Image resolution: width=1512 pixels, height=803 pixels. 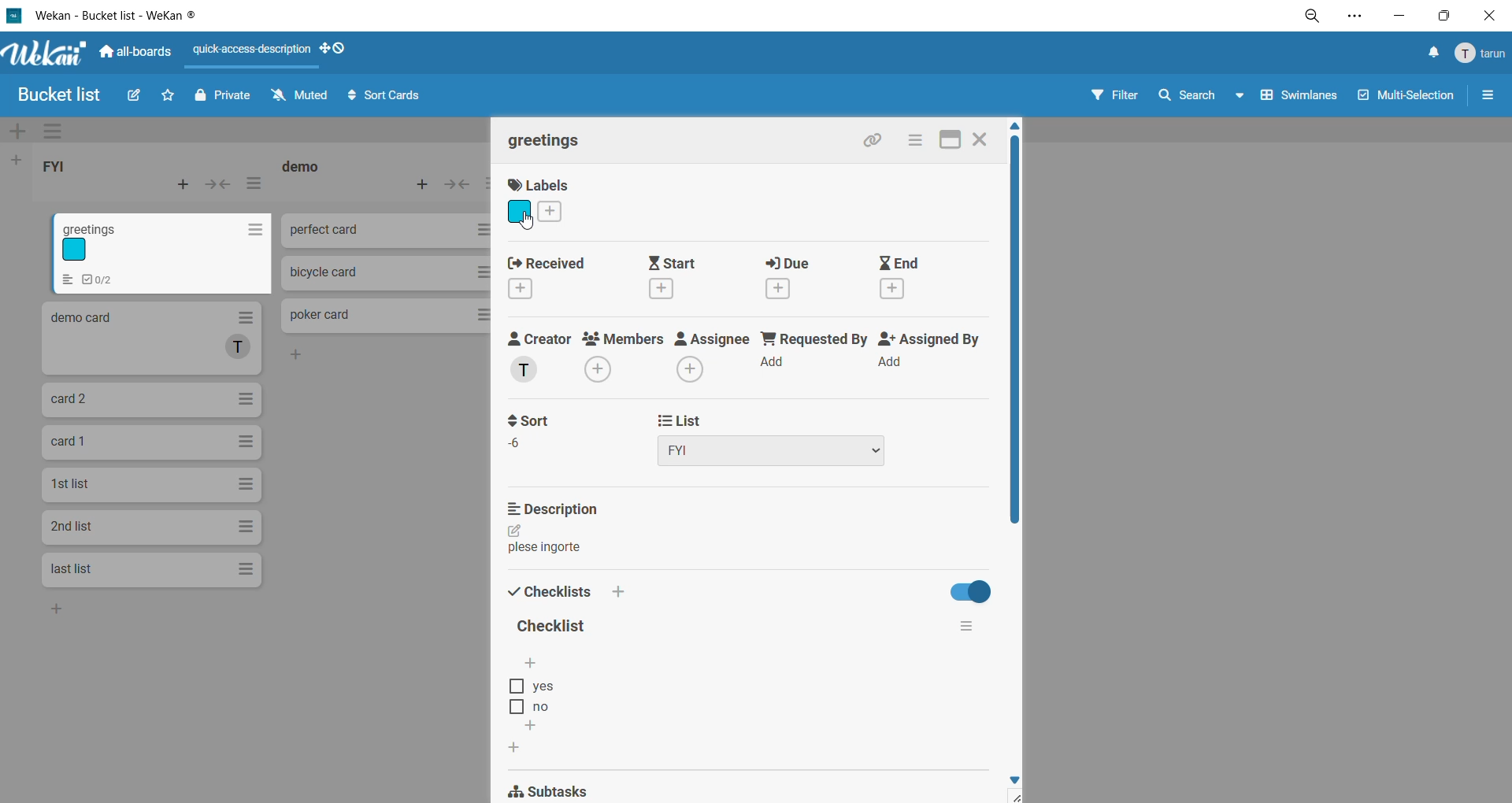 What do you see at coordinates (339, 52) in the screenshot?
I see `show desktop drag handles` at bounding box center [339, 52].